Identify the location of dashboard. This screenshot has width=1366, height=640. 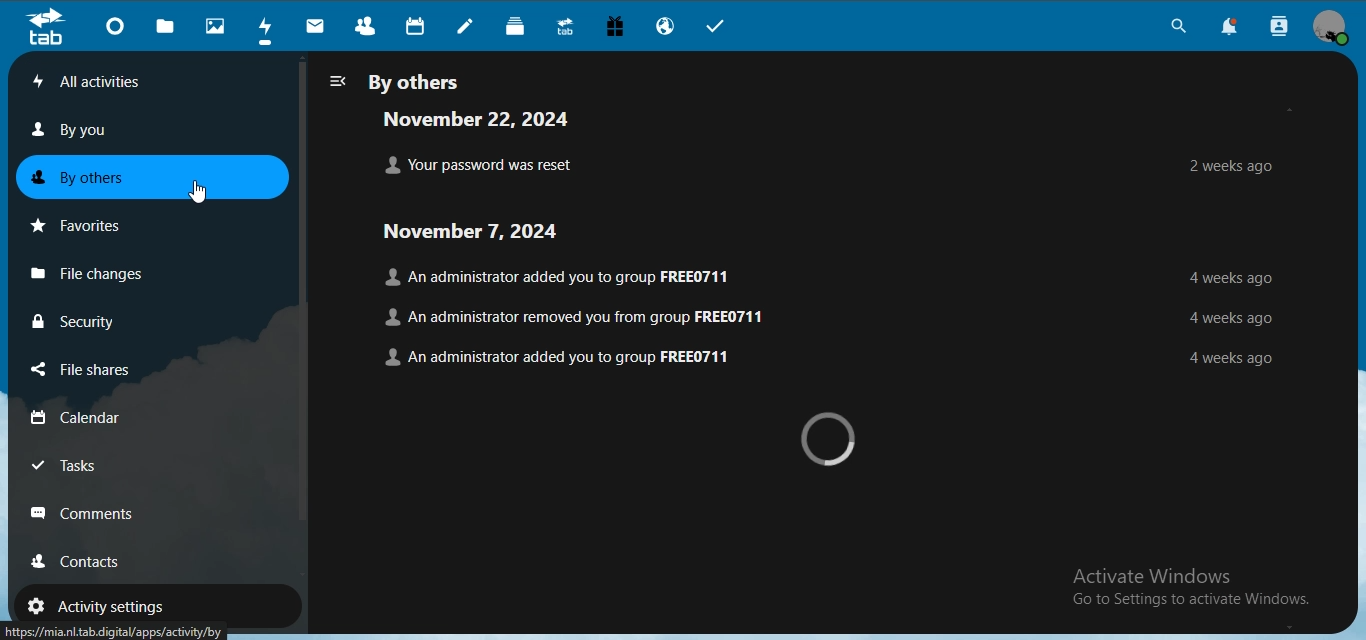
(113, 24).